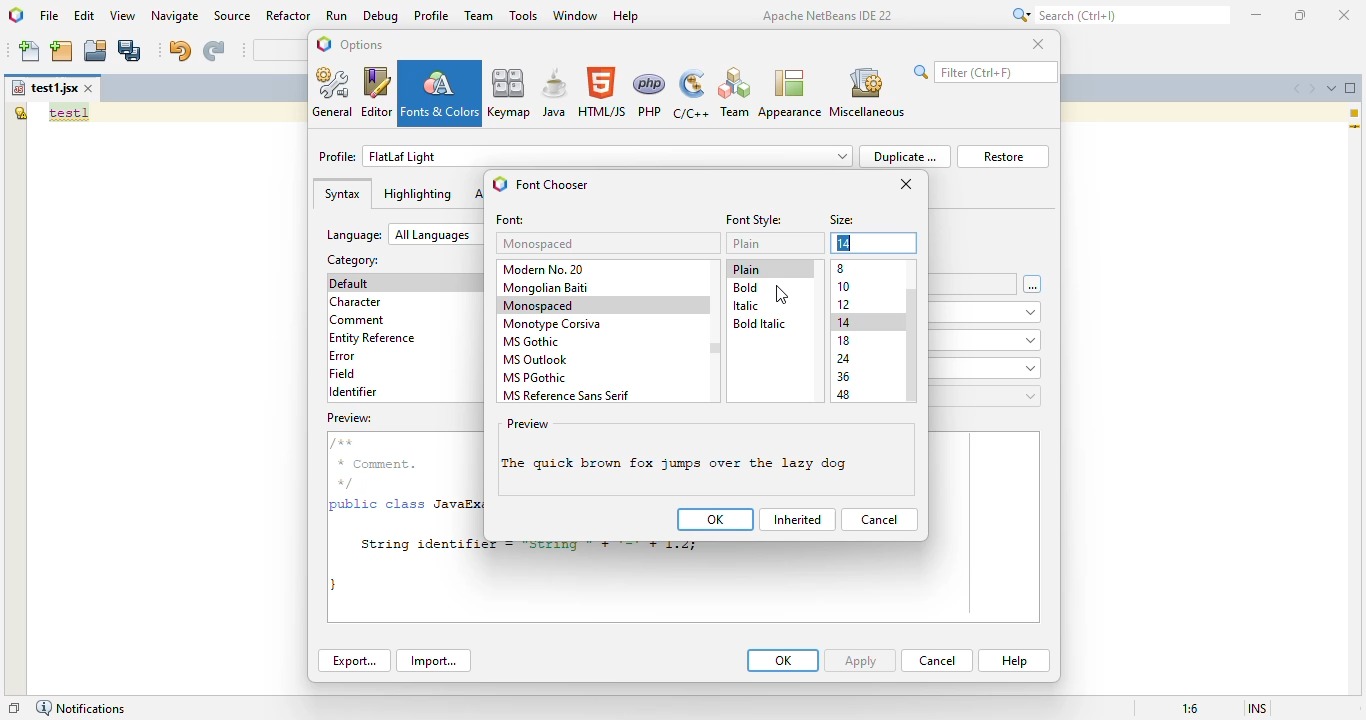 This screenshot has width=1366, height=720. What do you see at coordinates (511, 221) in the screenshot?
I see `font: ` at bounding box center [511, 221].